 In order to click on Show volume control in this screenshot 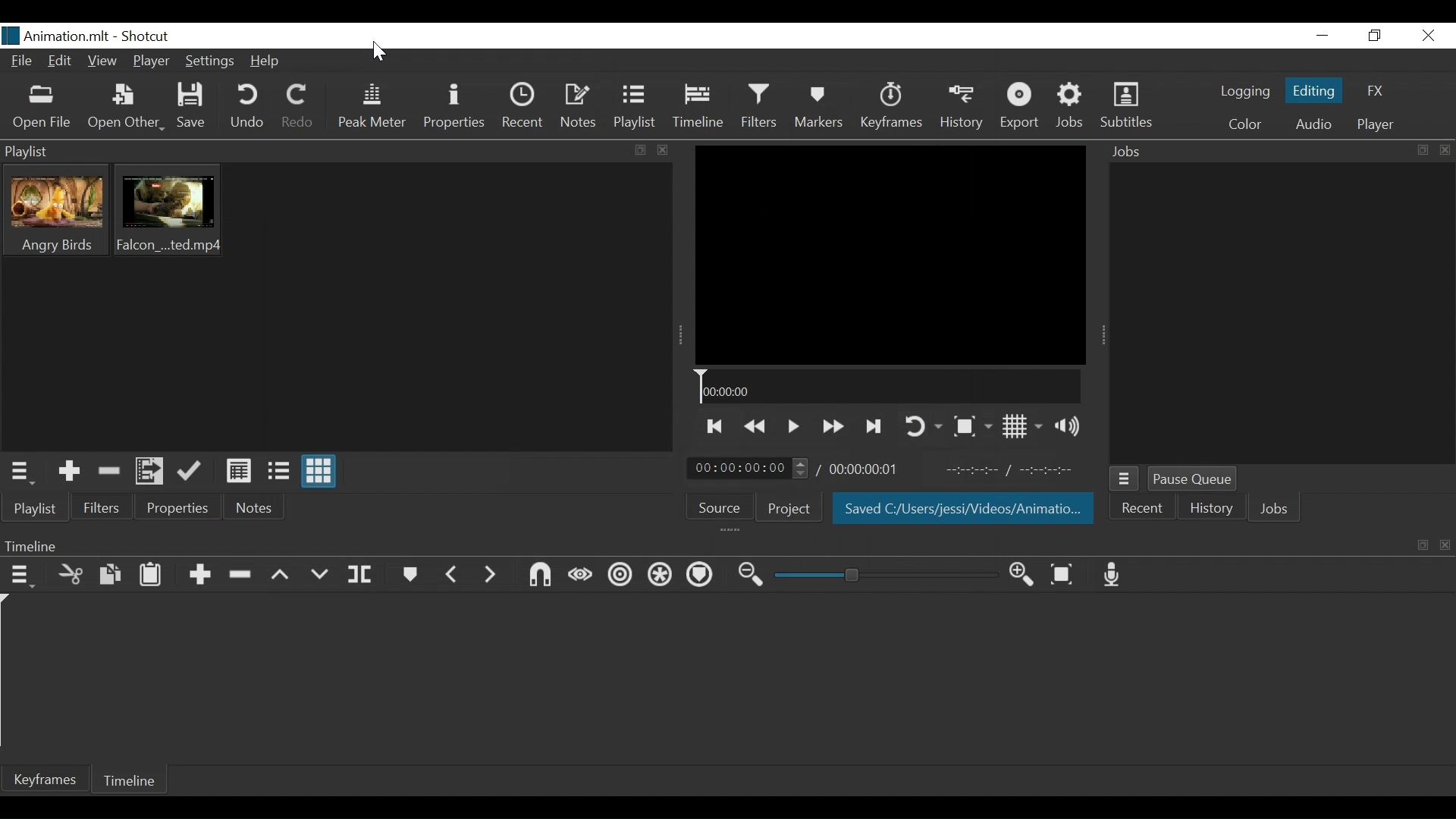, I will do `click(1072, 427)`.